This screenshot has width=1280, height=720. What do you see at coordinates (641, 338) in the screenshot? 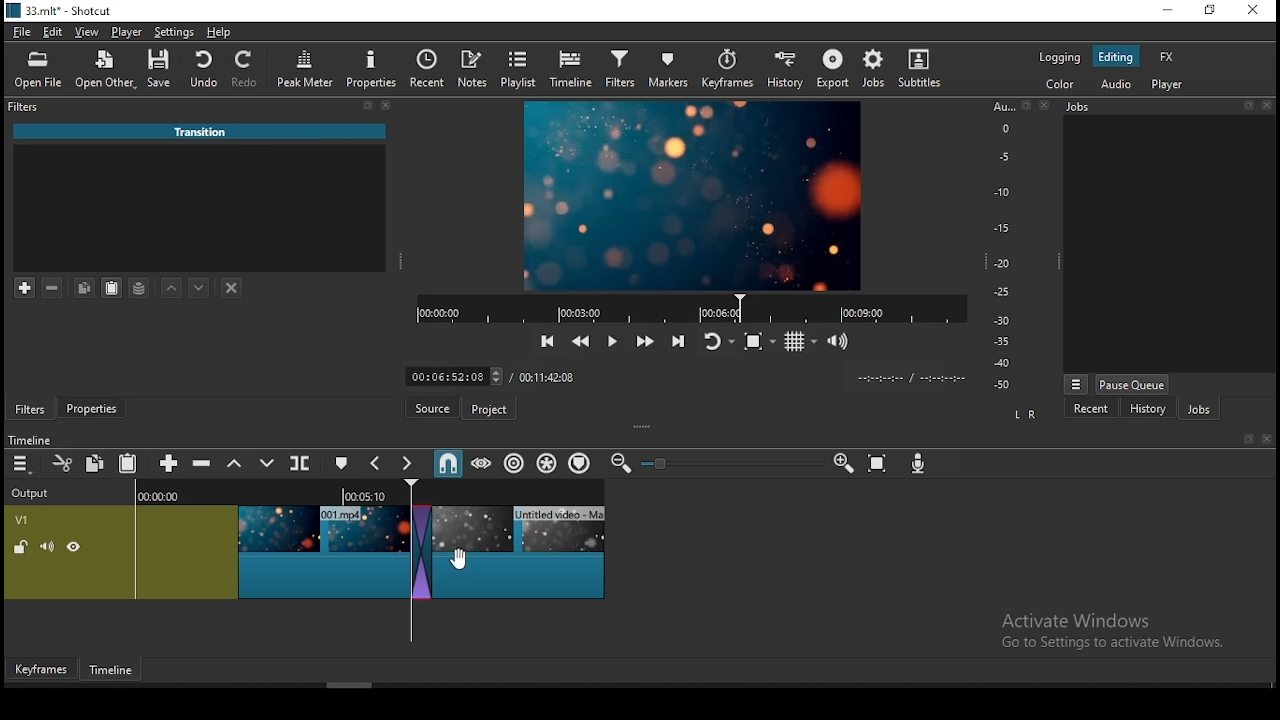
I see `play quickly forward` at bounding box center [641, 338].